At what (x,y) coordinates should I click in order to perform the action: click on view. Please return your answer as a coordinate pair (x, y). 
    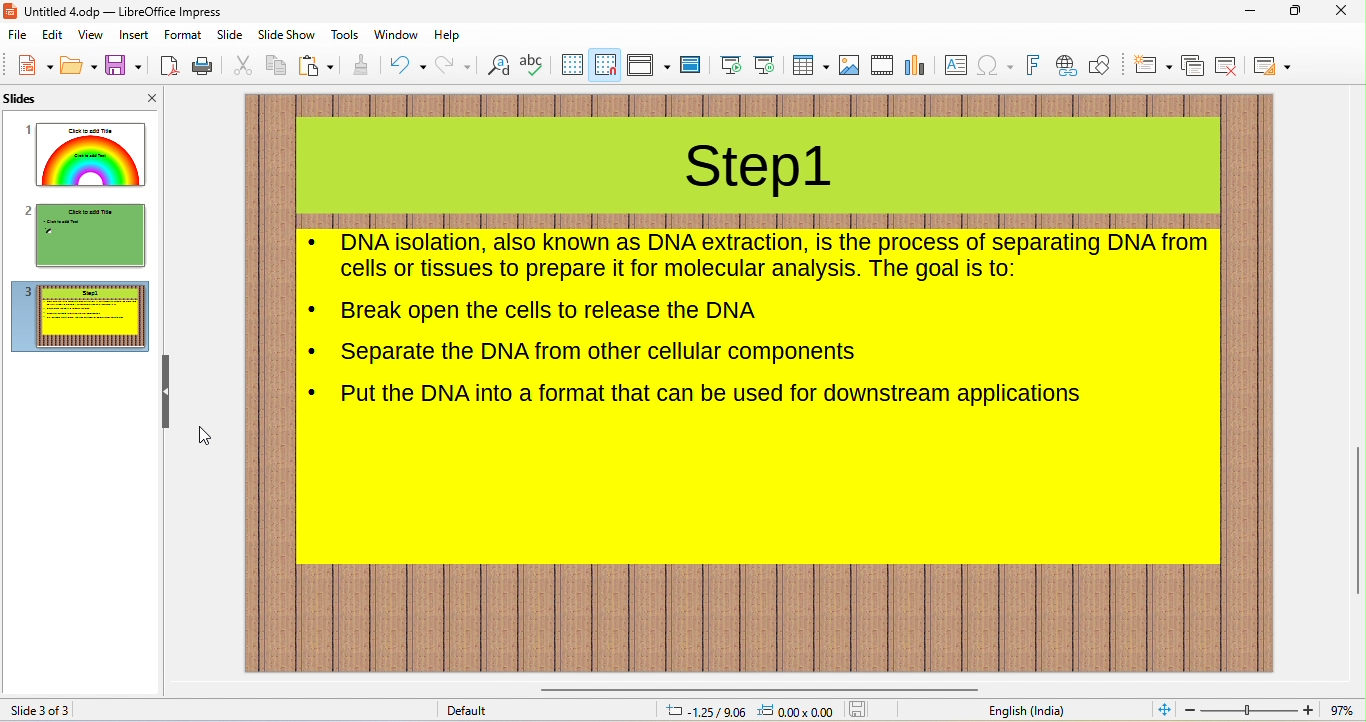
    Looking at the image, I should click on (90, 35).